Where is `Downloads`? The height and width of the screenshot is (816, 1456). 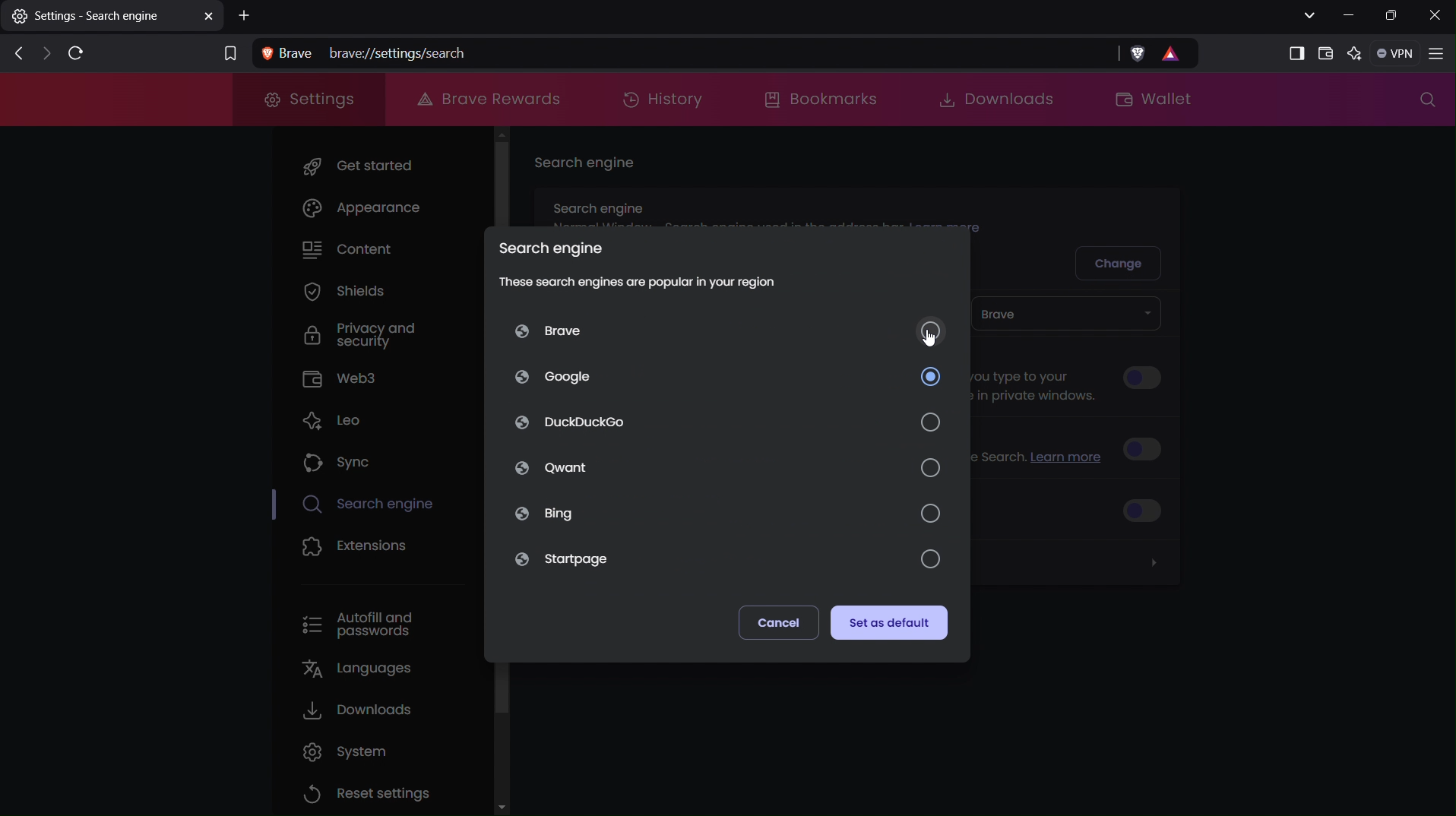 Downloads is located at coordinates (989, 99).